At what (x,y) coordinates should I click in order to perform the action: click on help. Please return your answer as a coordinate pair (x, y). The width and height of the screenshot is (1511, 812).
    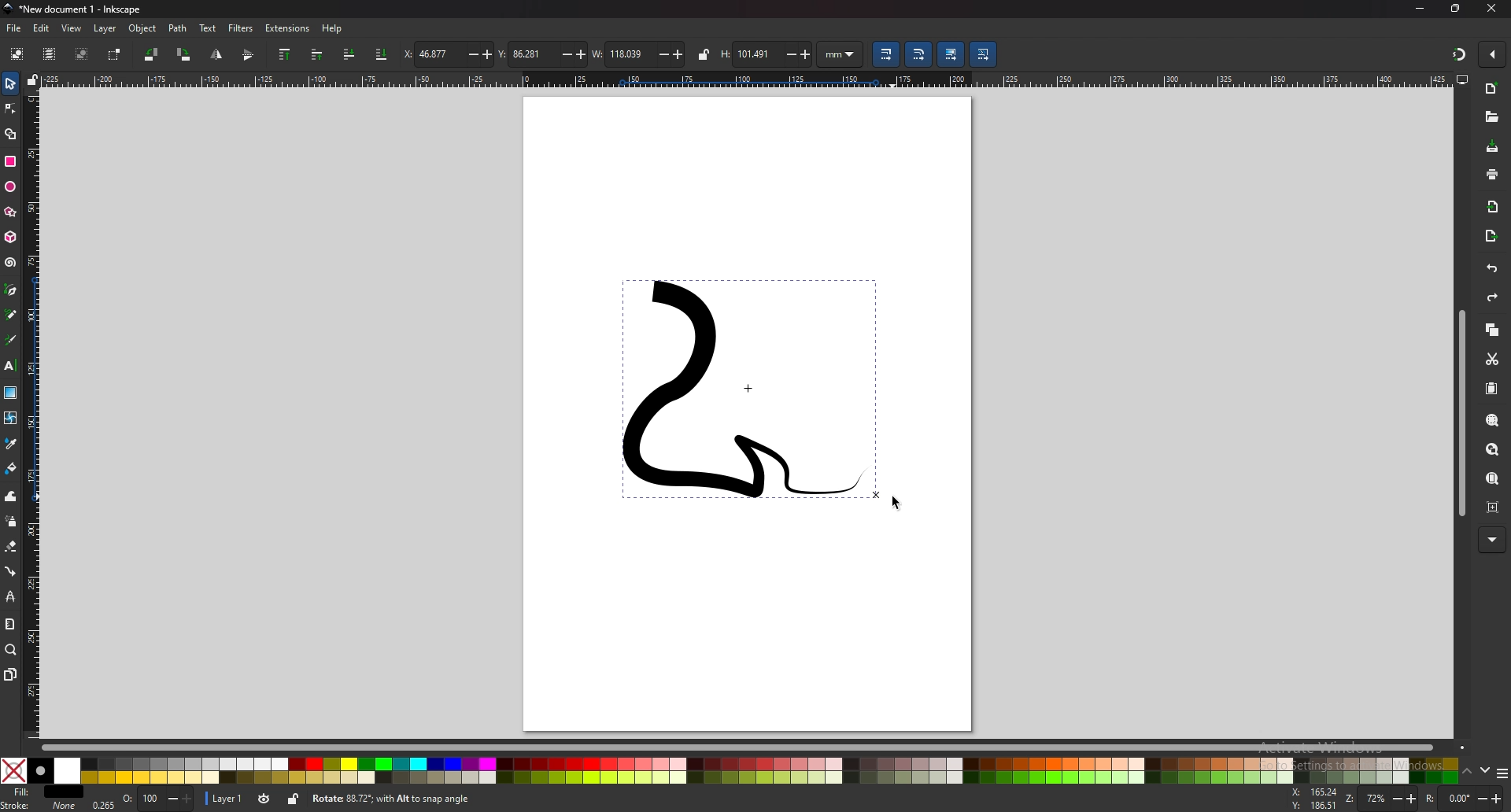
    Looking at the image, I should click on (332, 30).